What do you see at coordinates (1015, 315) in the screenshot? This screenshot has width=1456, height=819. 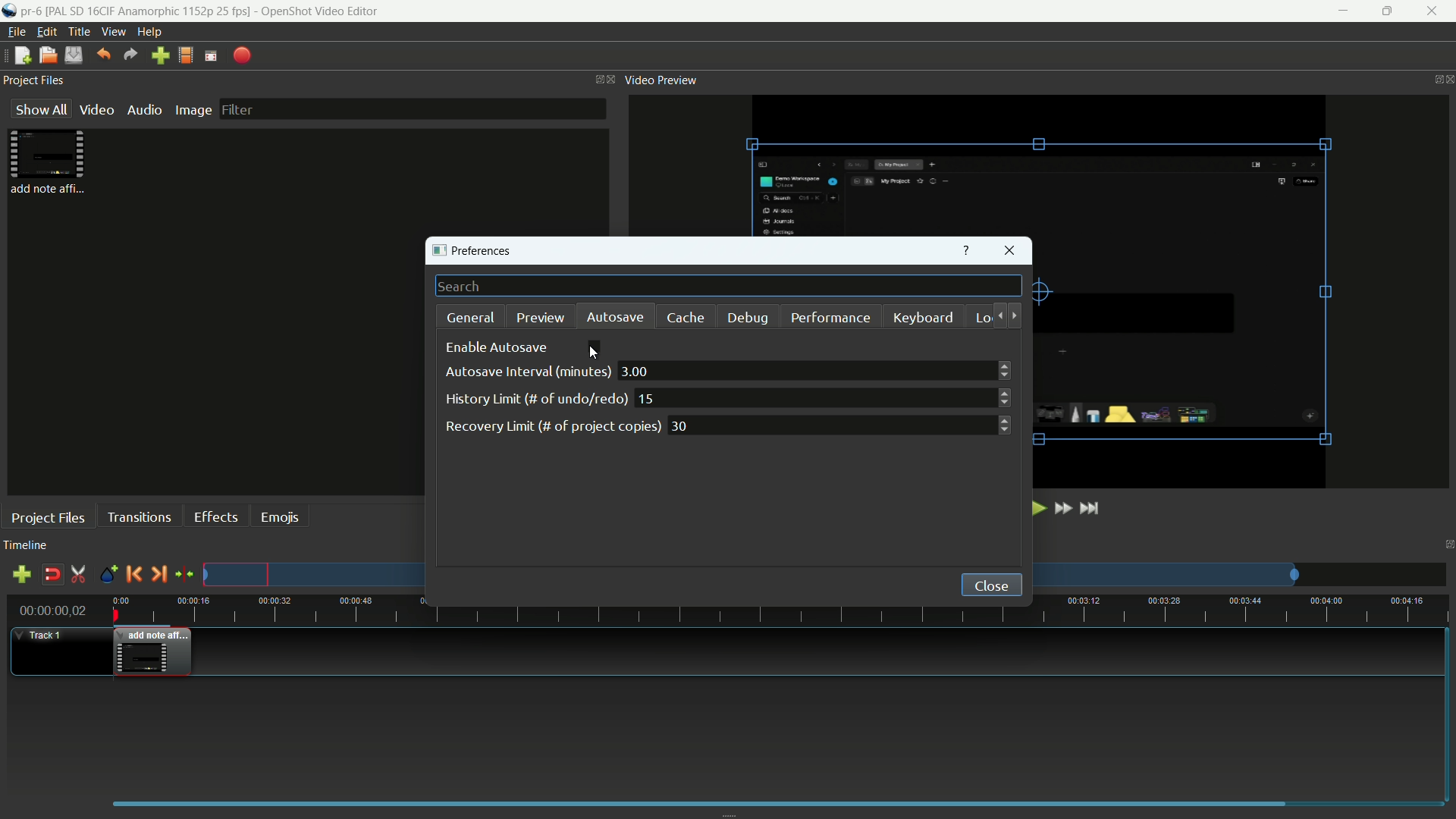 I see `move forward` at bounding box center [1015, 315].